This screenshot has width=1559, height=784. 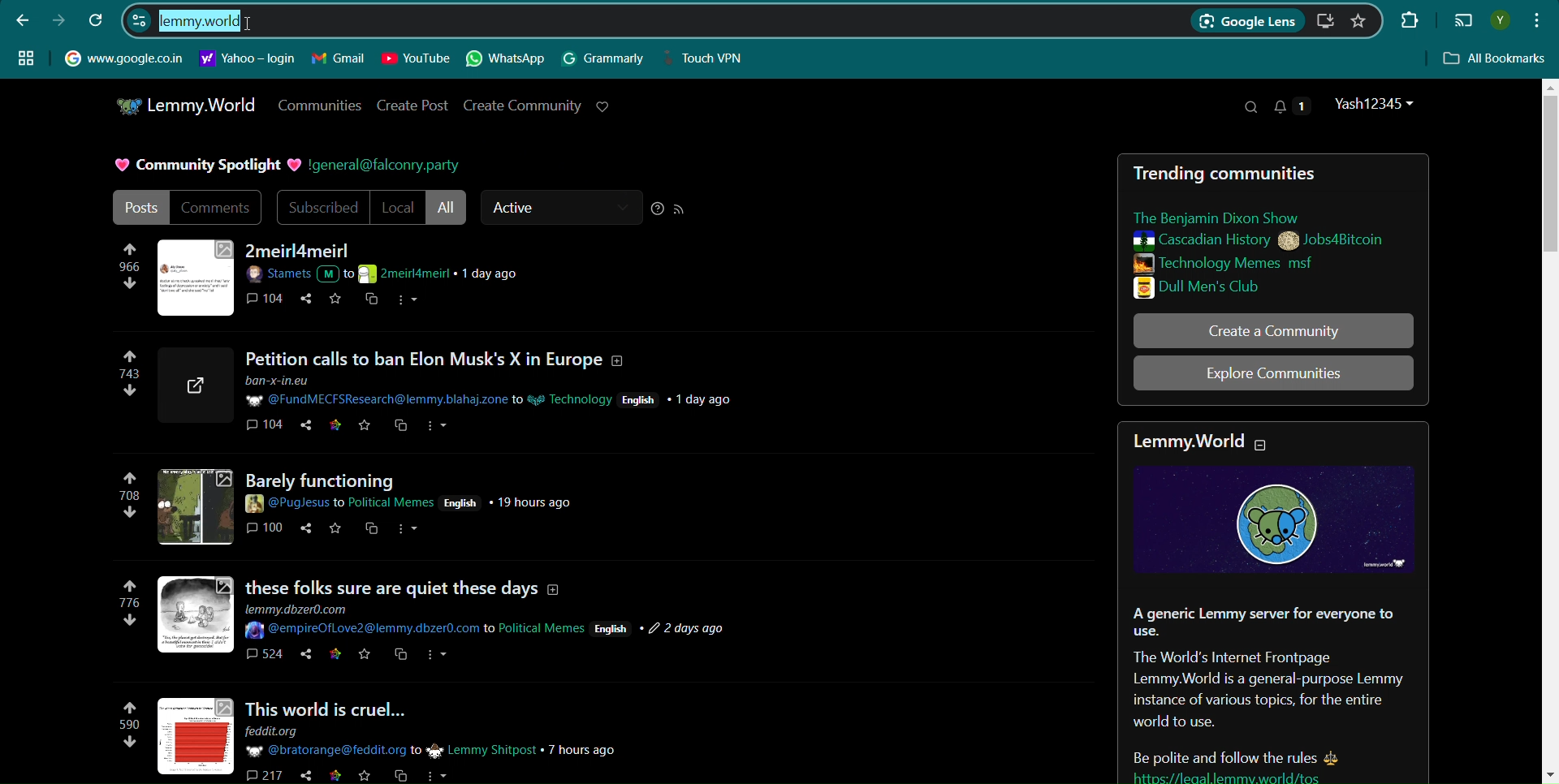 What do you see at coordinates (250, 24) in the screenshot?
I see `Text Cursor` at bounding box center [250, 24].